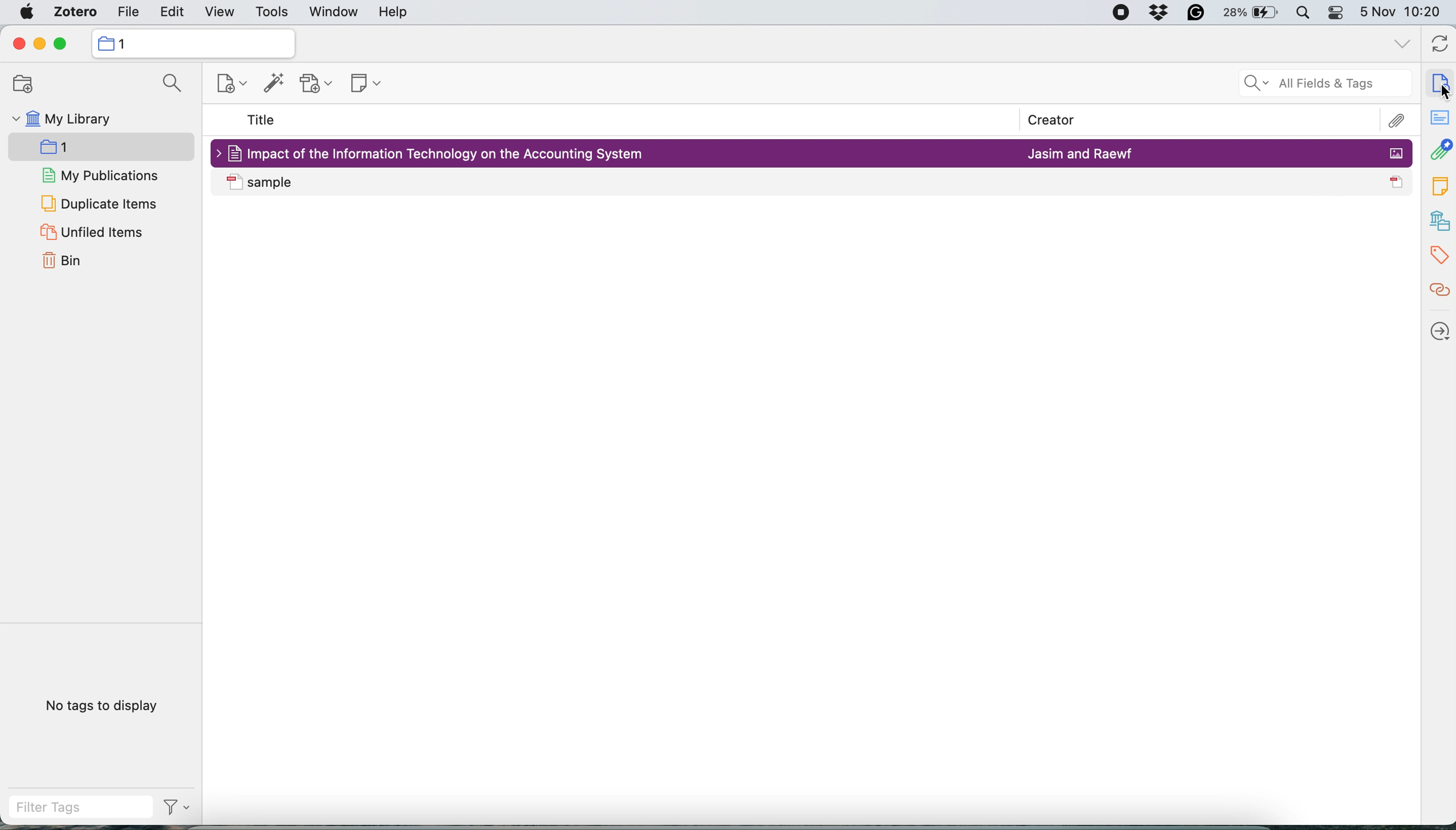 The width and height of the screenshot is (1456, 830). What do you see at coordinates (334, 12) in the screenshot?
I see `window` at bounding box center [334, 12].